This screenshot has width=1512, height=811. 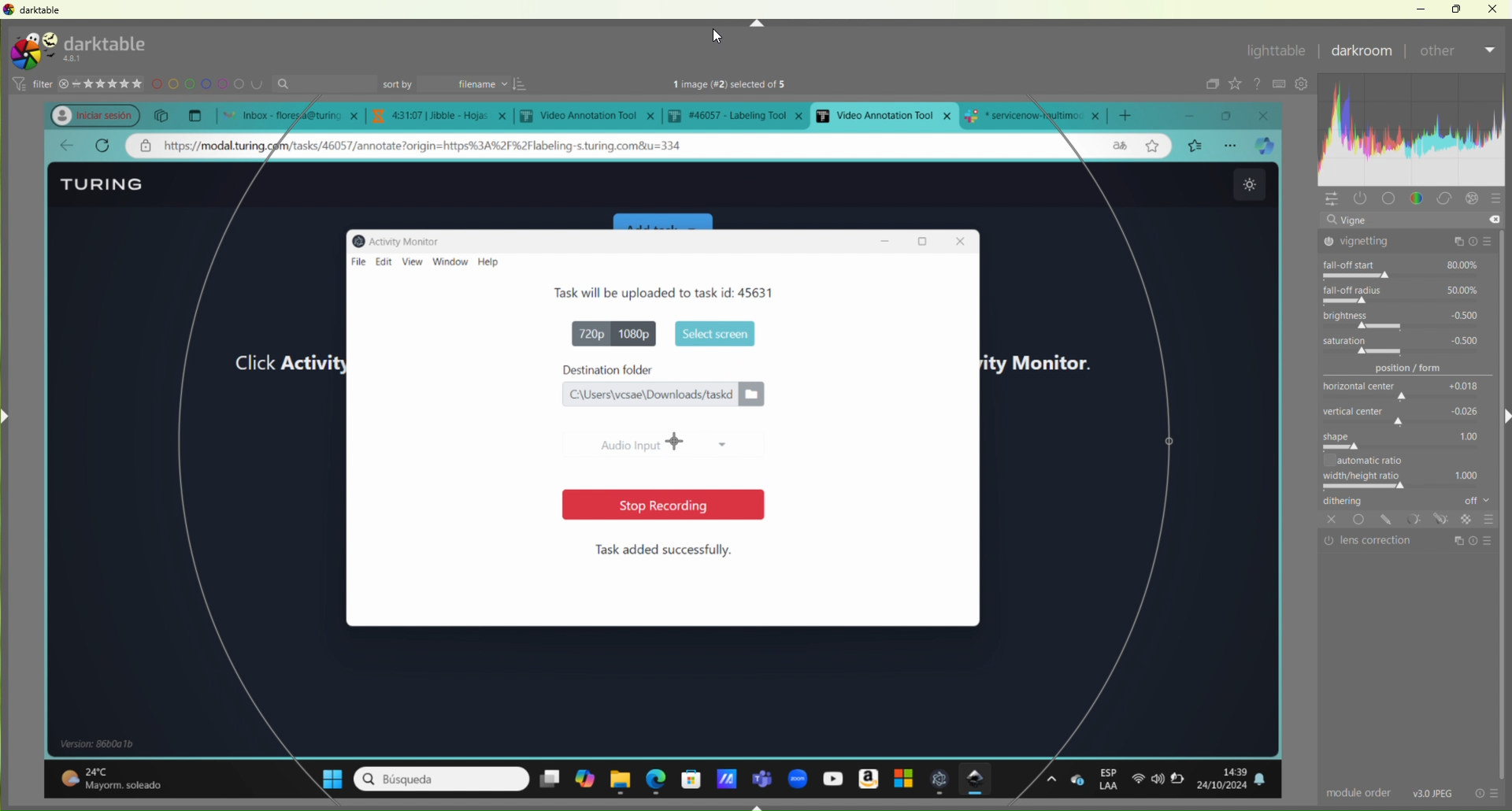 What do you see at coordinates (1410, 319) in the screenshot?
I see `brightness` at bounding box center [1410, 319].